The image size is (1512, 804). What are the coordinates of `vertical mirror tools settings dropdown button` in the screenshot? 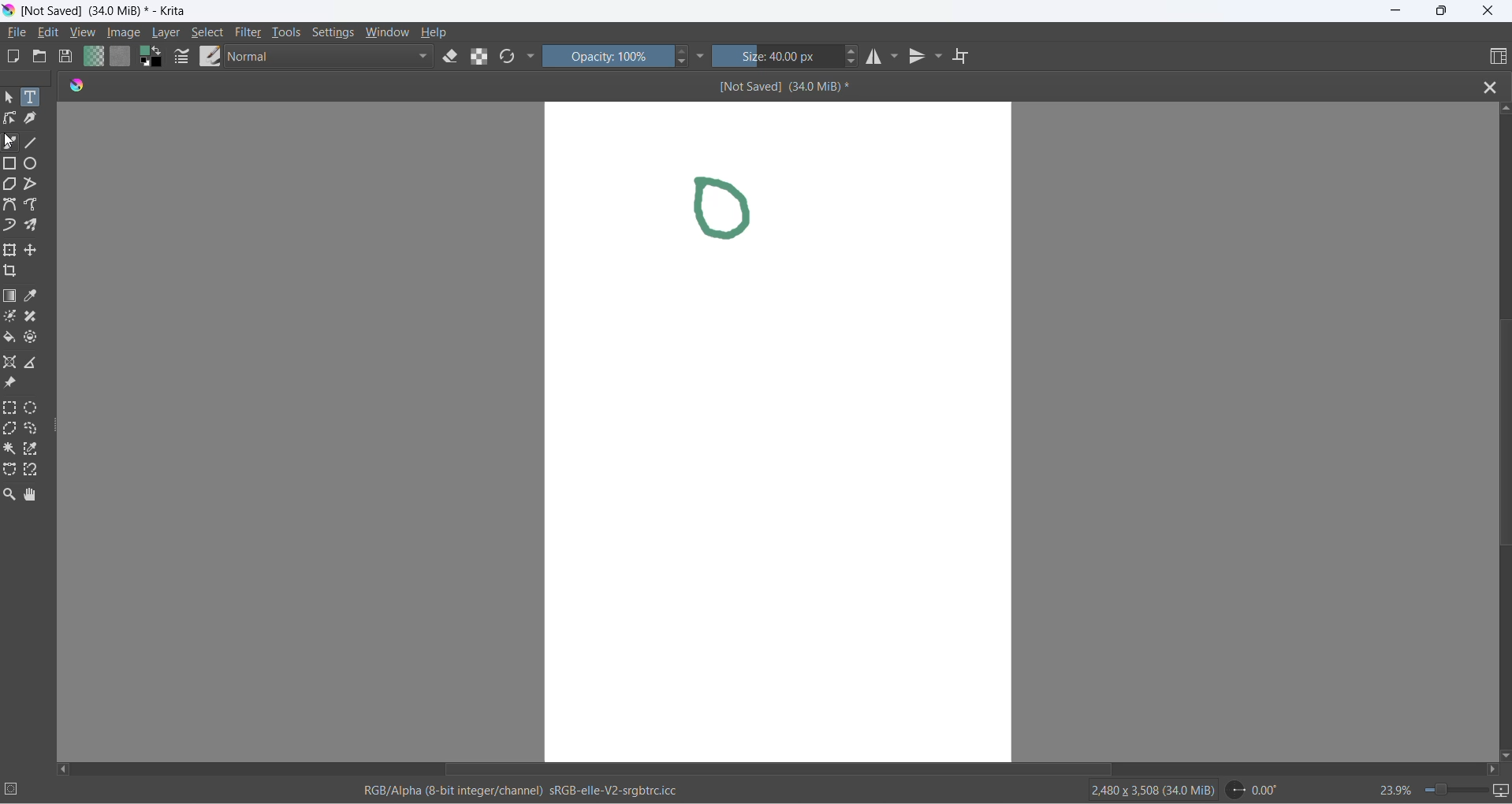 It's located at (940, 58).